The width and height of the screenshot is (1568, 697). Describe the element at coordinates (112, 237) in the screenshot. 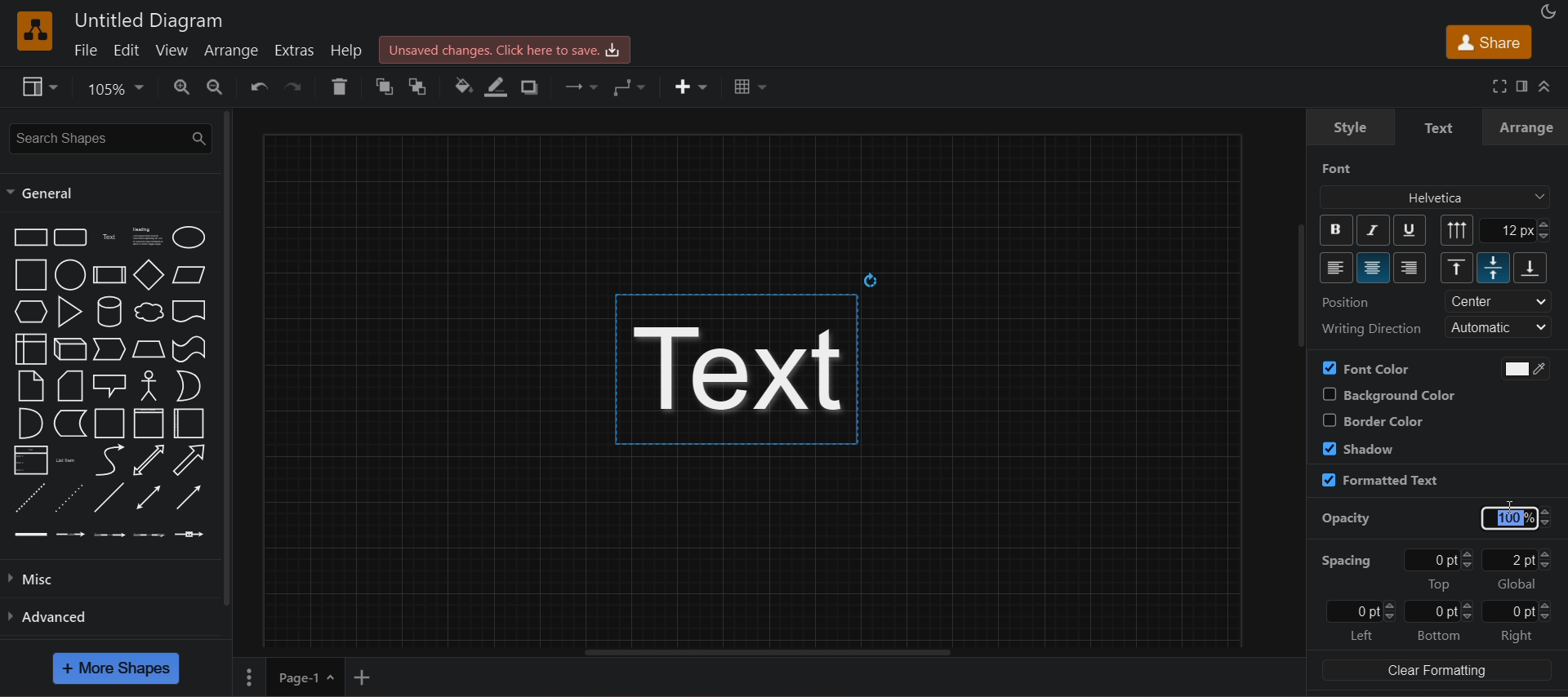

I see `text` at that location.